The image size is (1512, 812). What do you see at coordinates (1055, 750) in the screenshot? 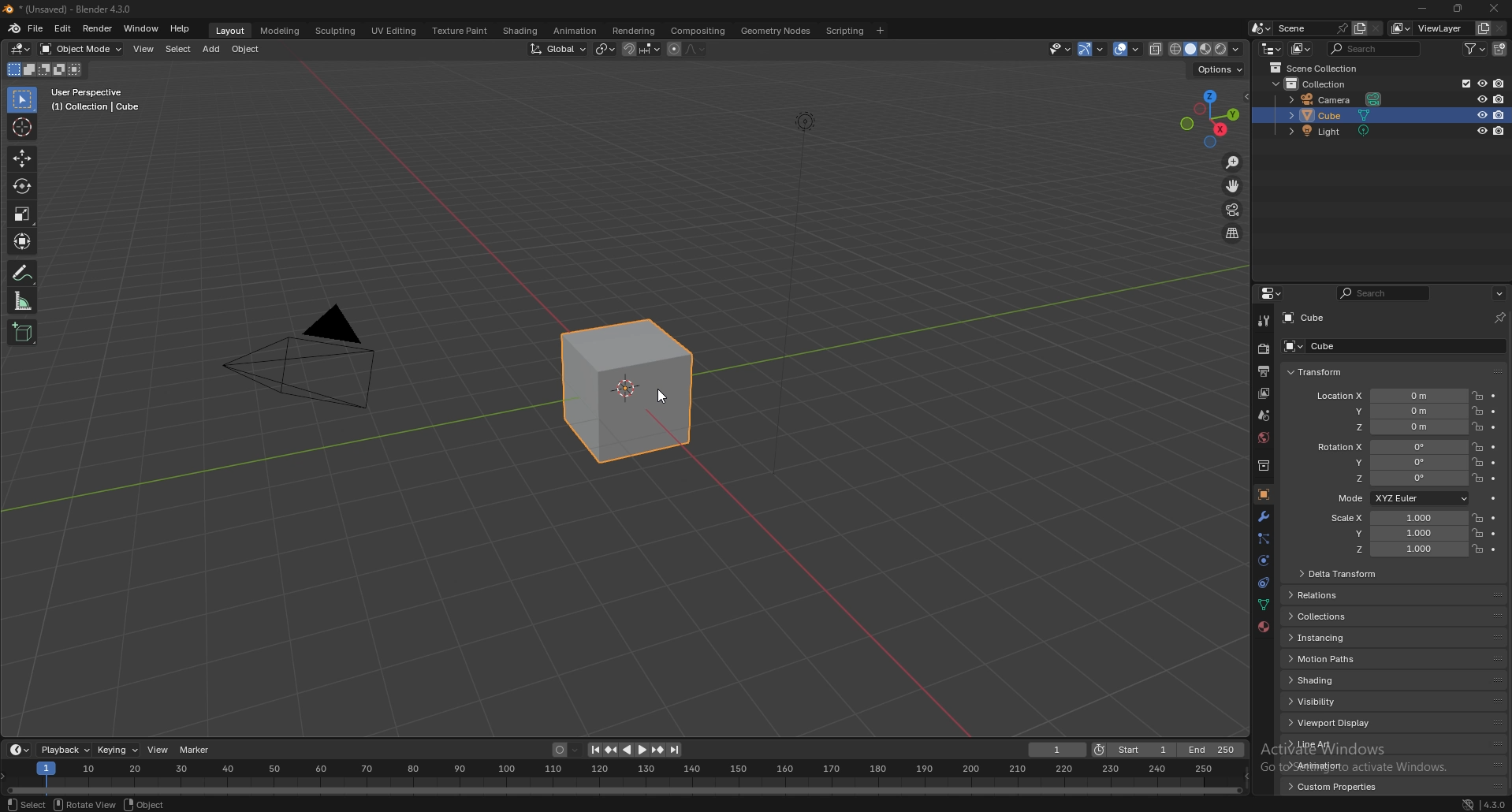
I see `1` at bounding box center [1055, 750].